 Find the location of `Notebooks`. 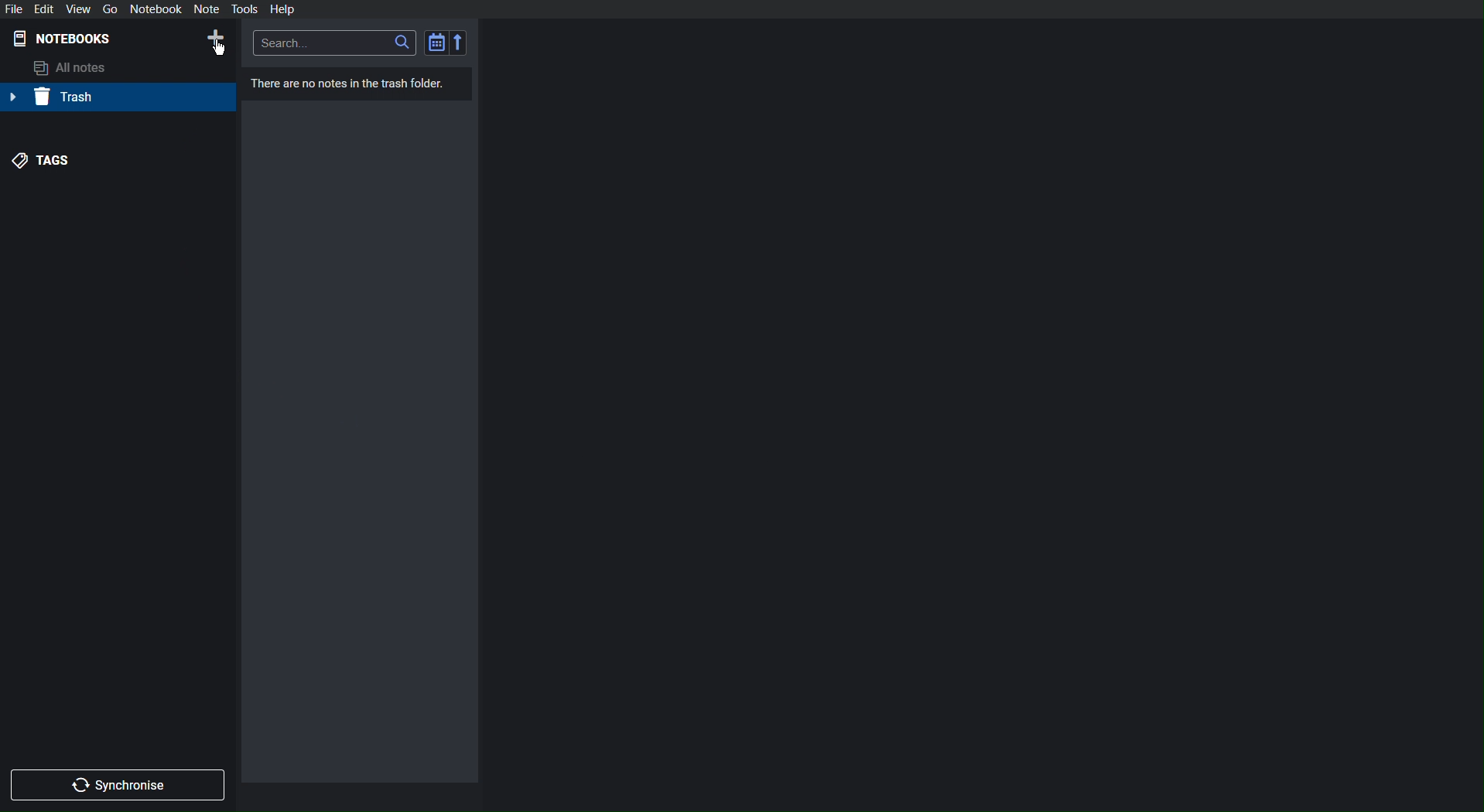

Notebooks is located at coordinates (63, 39).